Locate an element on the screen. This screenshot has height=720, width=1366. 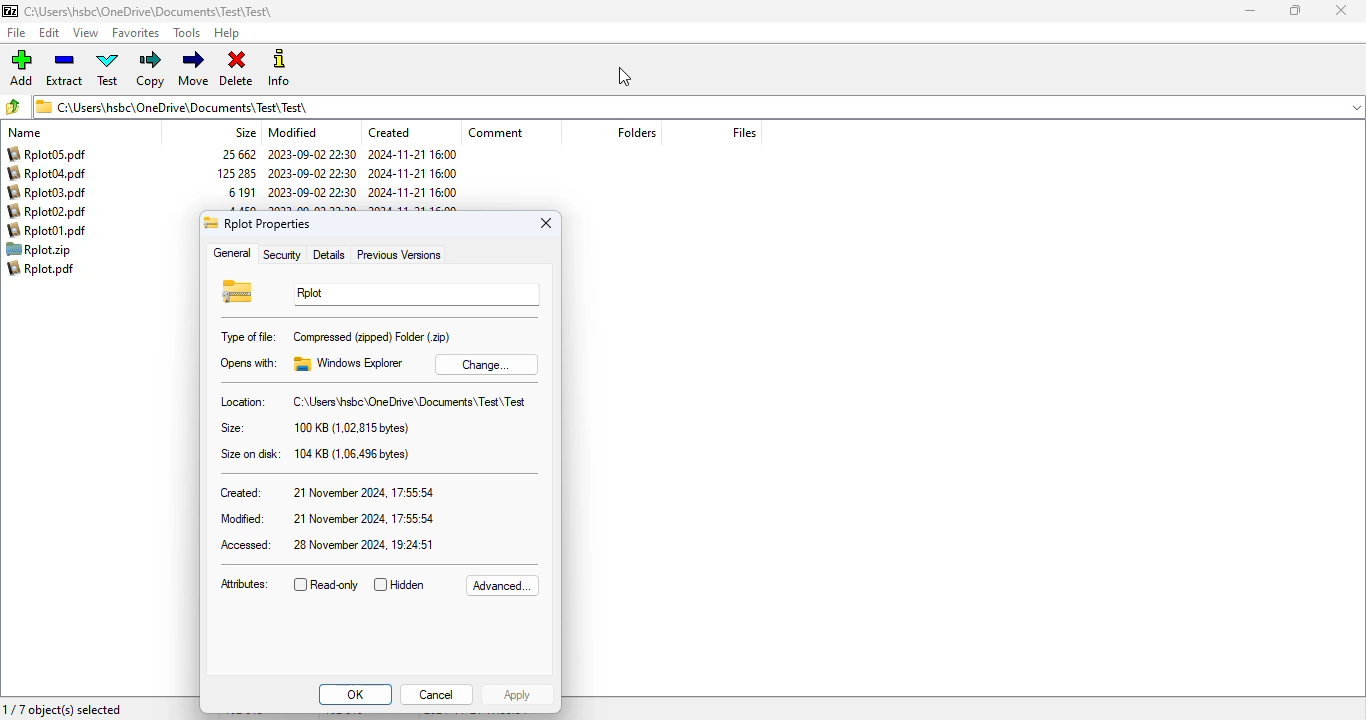
Rplot is located at coordinates (414, 294).